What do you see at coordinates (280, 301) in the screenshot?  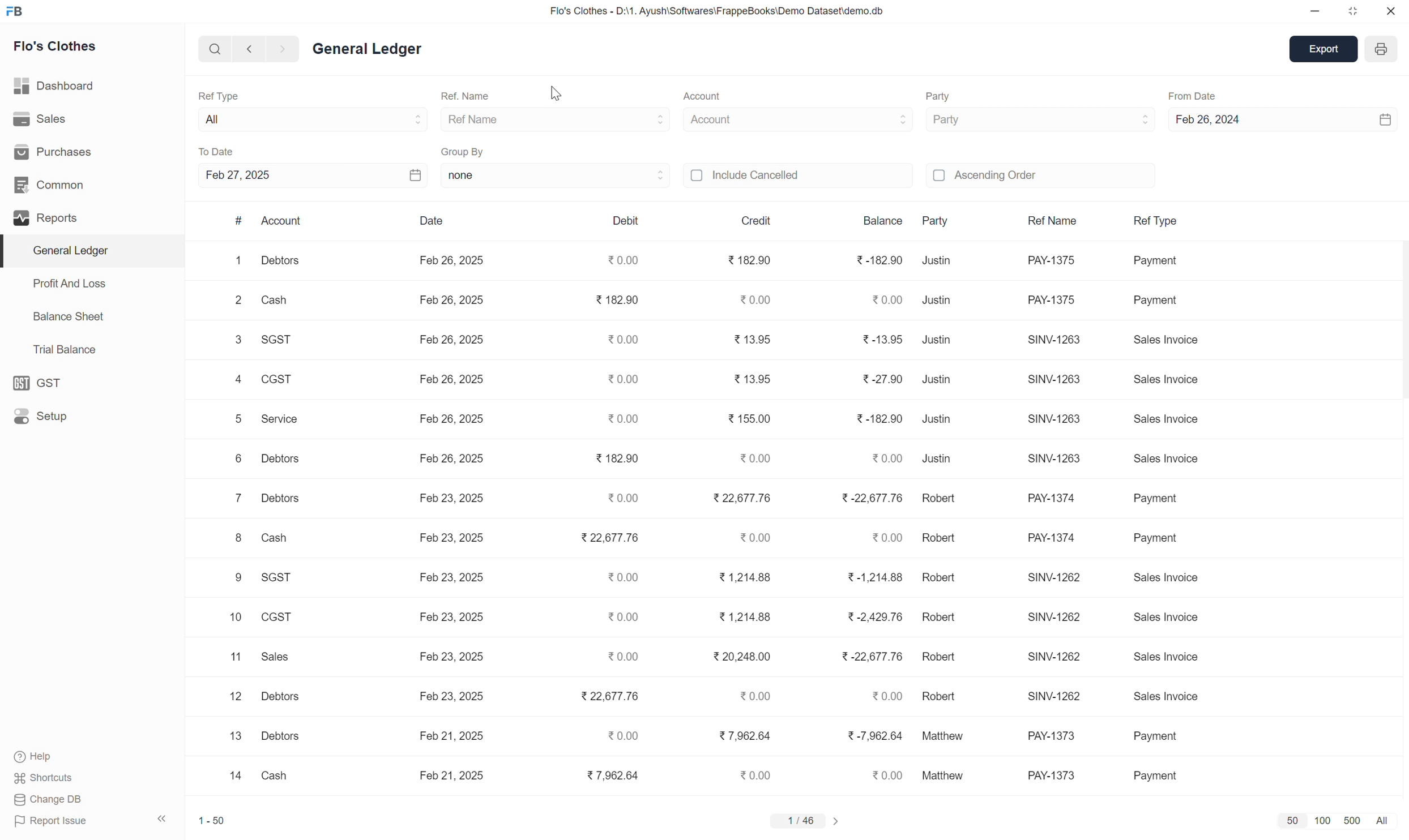 I see `cash` at bounding box center [280, 301].